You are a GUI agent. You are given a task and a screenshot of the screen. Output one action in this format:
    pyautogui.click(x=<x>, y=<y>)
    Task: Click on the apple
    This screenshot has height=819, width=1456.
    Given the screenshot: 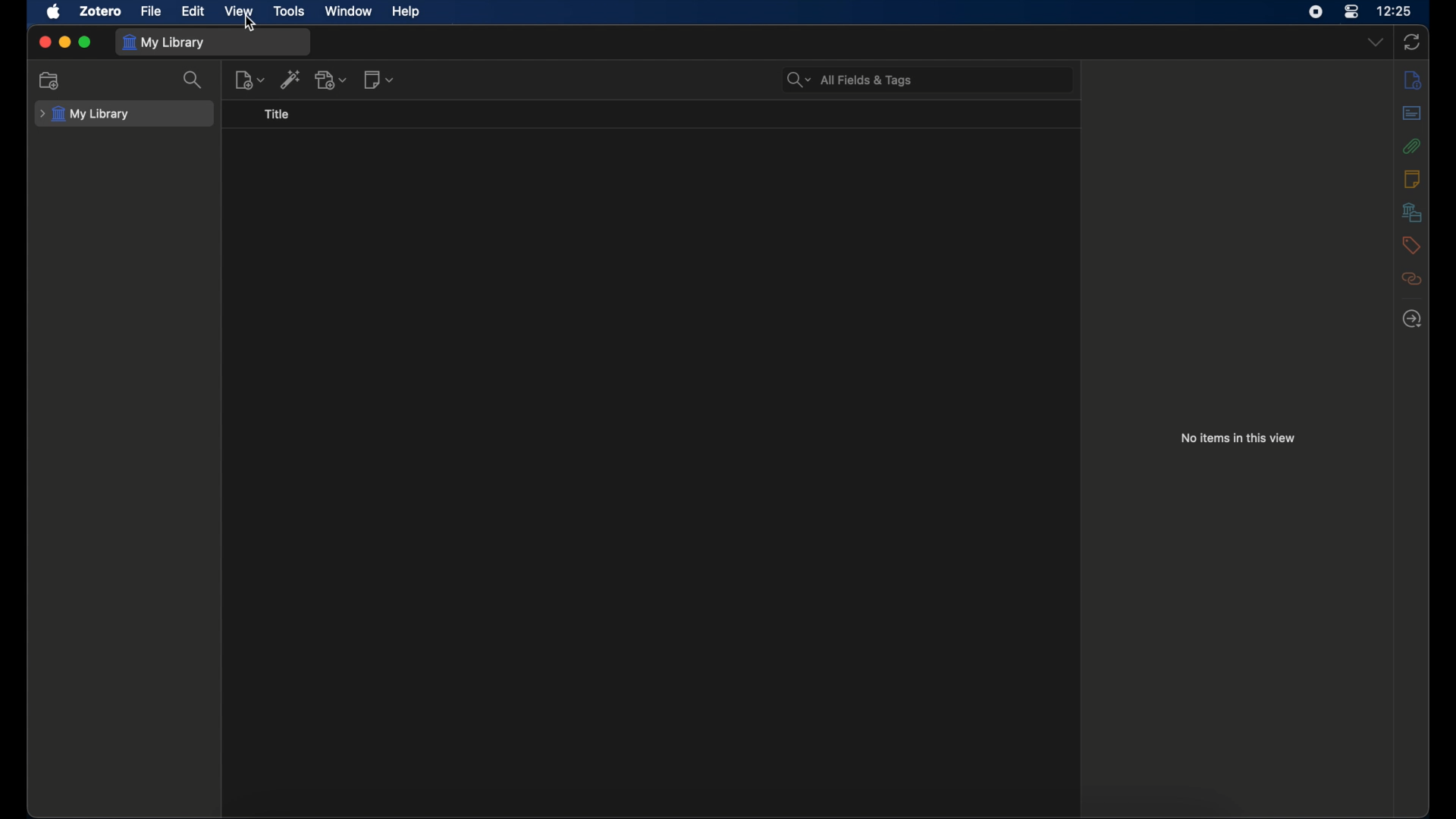 What is the action you would take?
    pyautogui.click(x=53, y=12)
    